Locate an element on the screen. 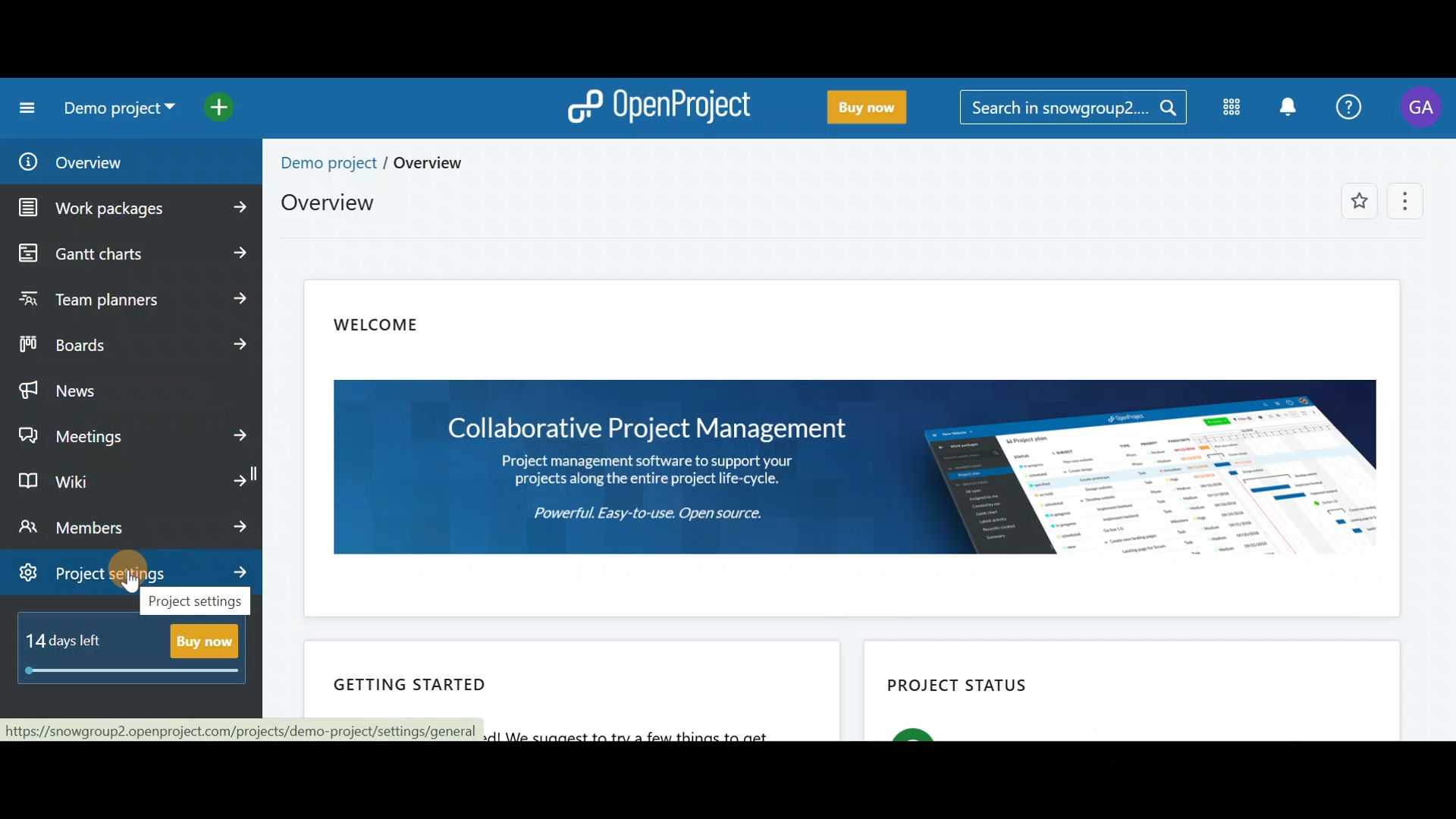 Image resolution: width=1456 pixels, height=819 pixels. Project overview is located at coordinates (376, 181).